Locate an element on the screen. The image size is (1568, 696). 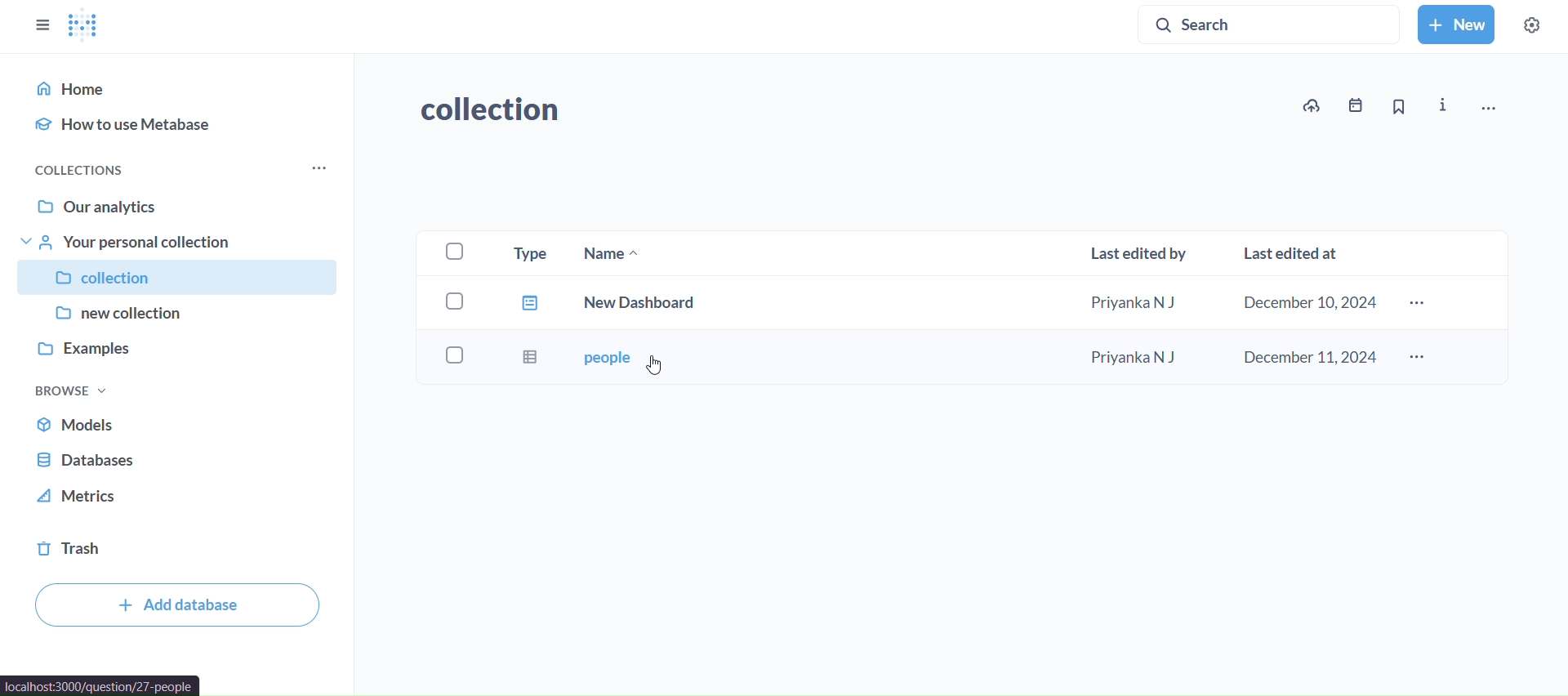
examples is located at coordinates (179, 351).